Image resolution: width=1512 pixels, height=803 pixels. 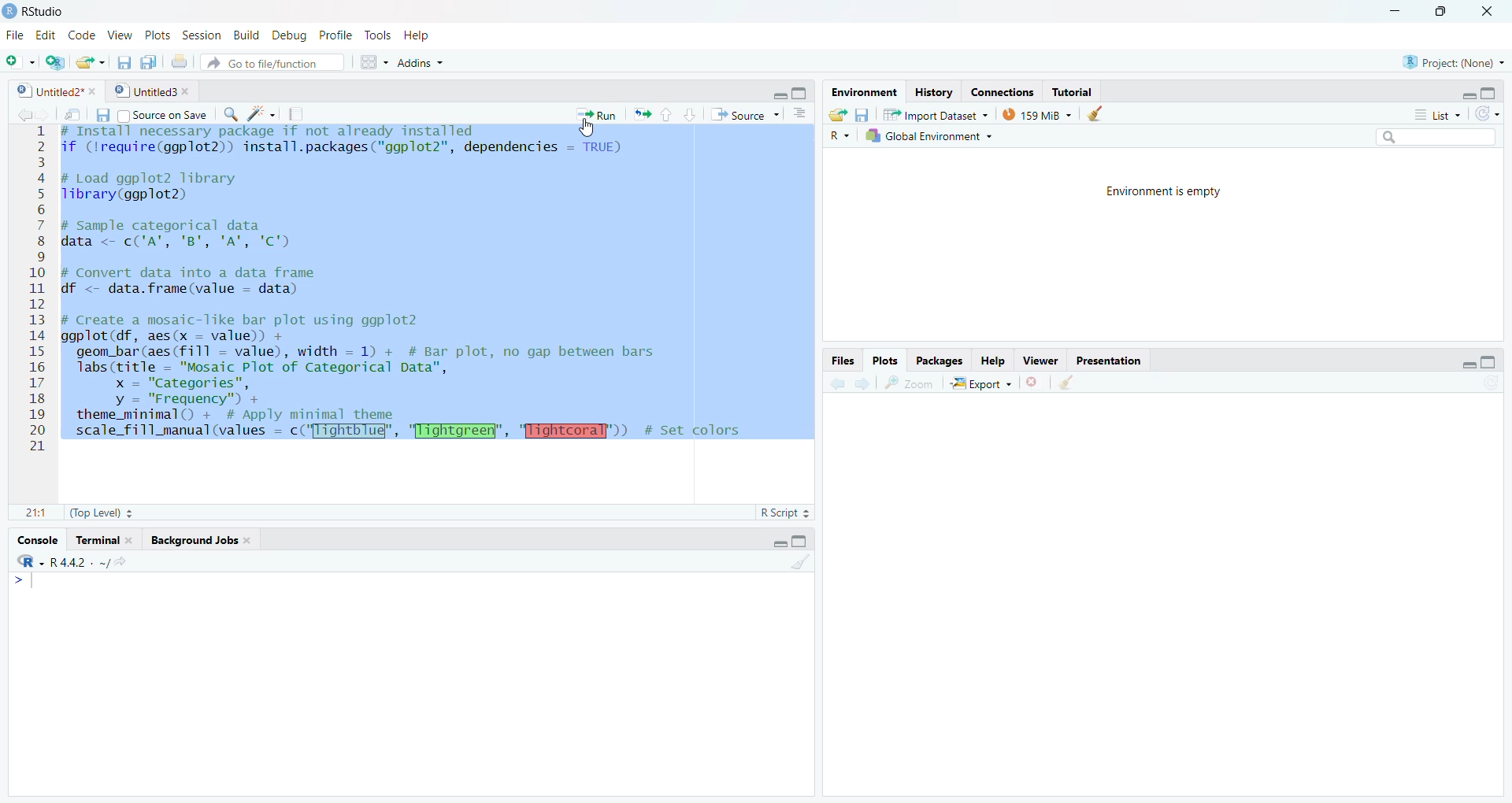 I want to click on Tutorial, so click(x=1070, y=92).